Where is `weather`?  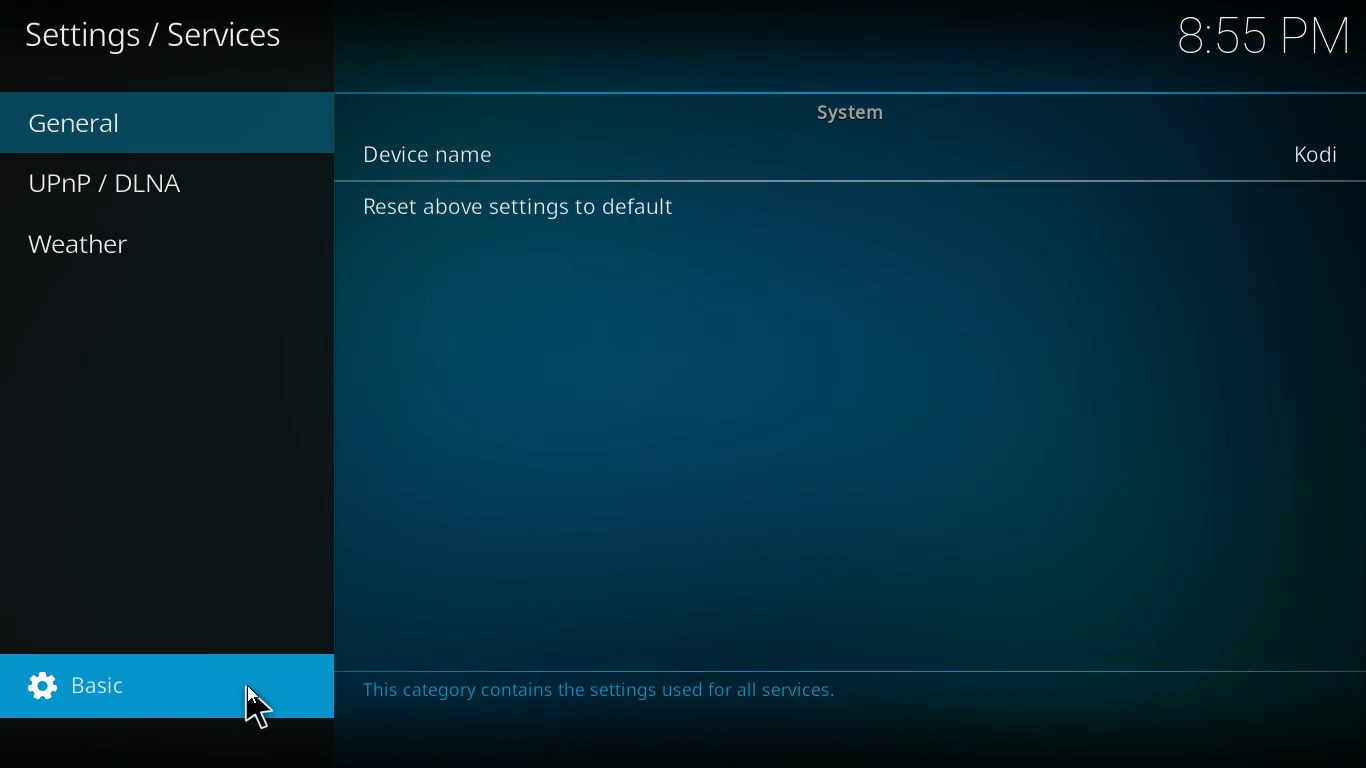 weather is located at coordinates (85, 249).